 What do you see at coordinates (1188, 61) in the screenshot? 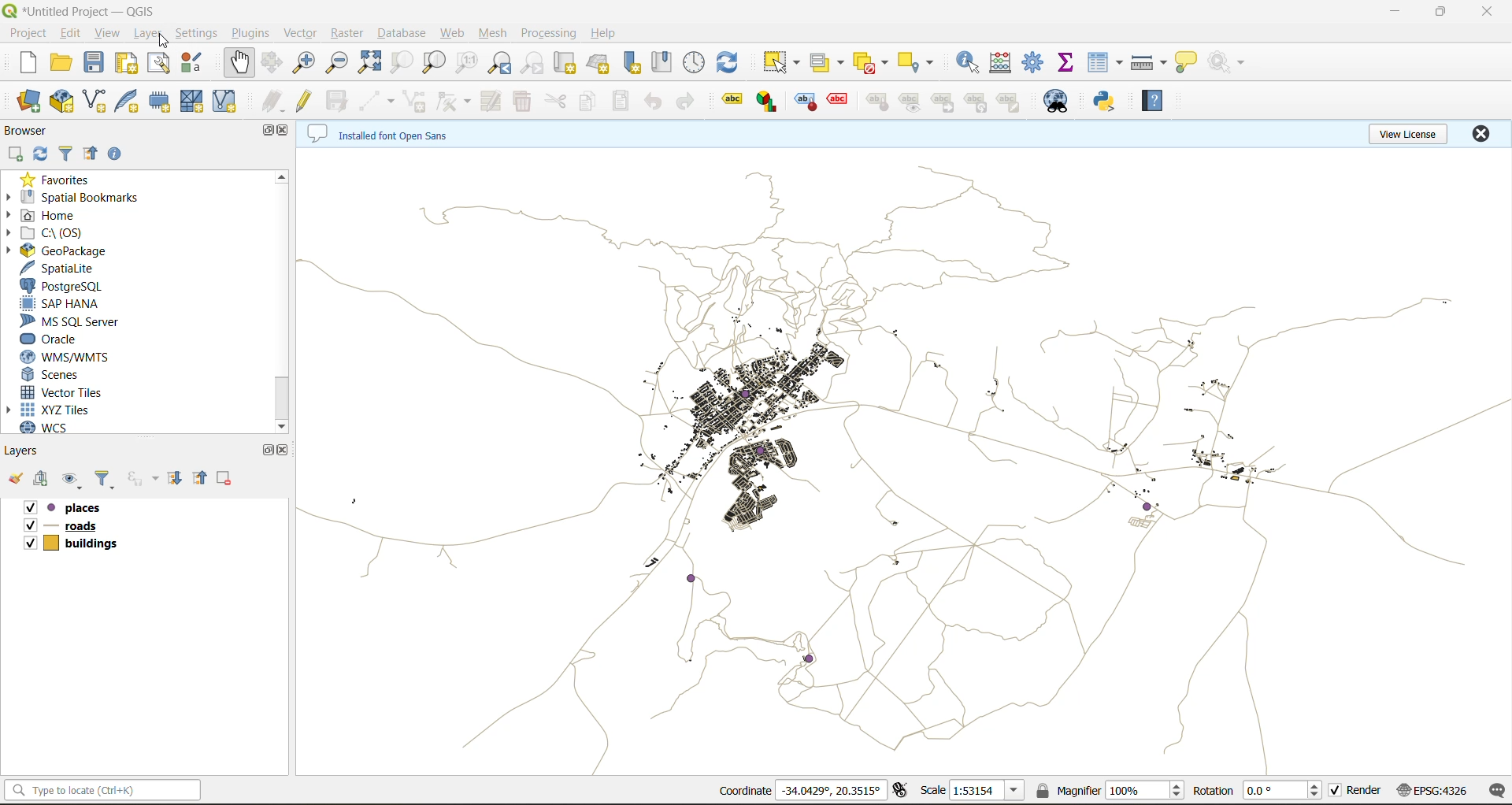
I see `show tips` at bounding box center [1188, 61].